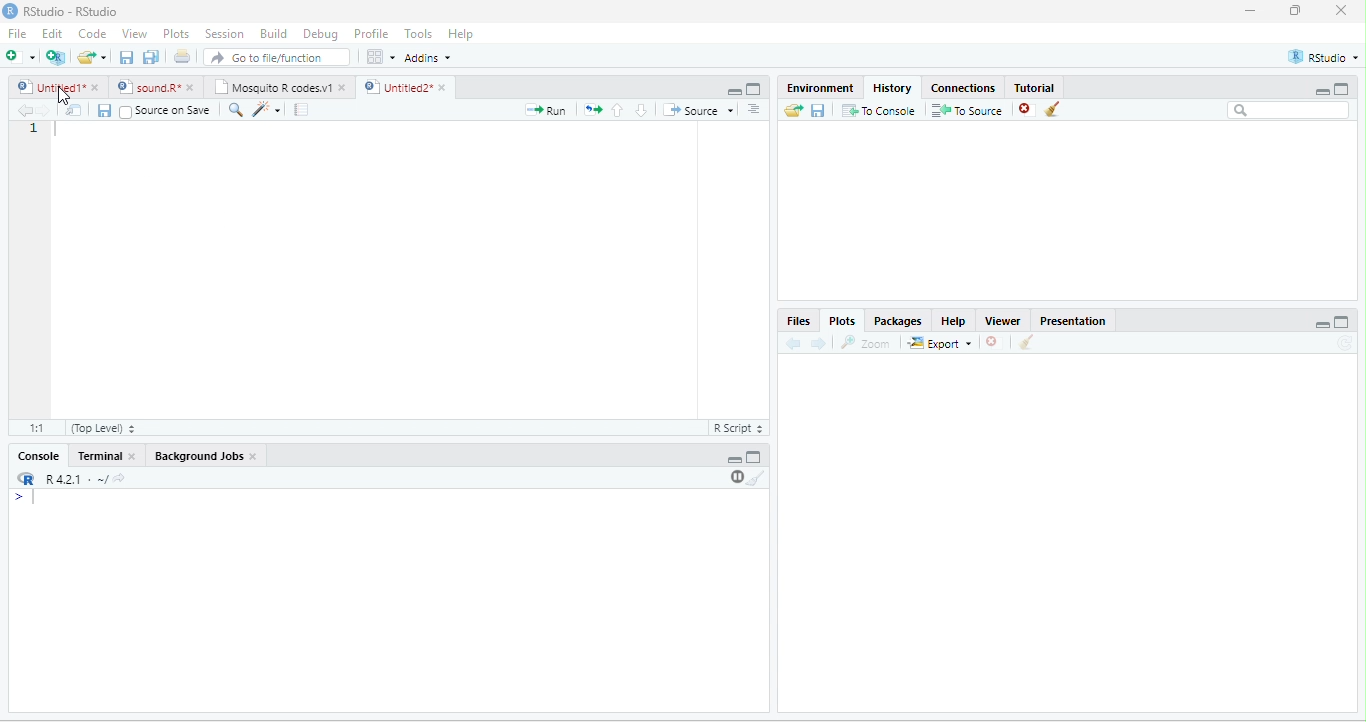  What do you see at coordinates (864, 343) in the screenshot?
I see `Zoom` at bounding box center [864, 343].